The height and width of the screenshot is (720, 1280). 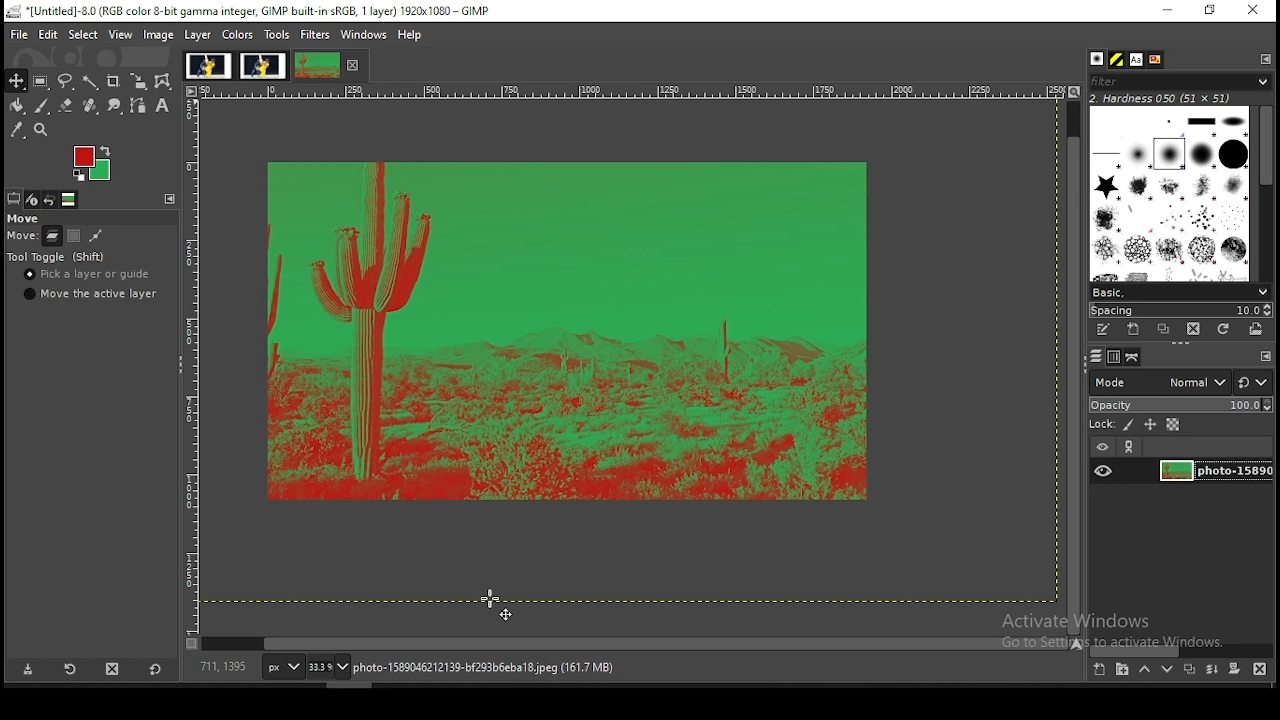 What do you see at coordinates (1116, 357) in the screenshot?
I see `channels` at bounding box center [1116, 357].